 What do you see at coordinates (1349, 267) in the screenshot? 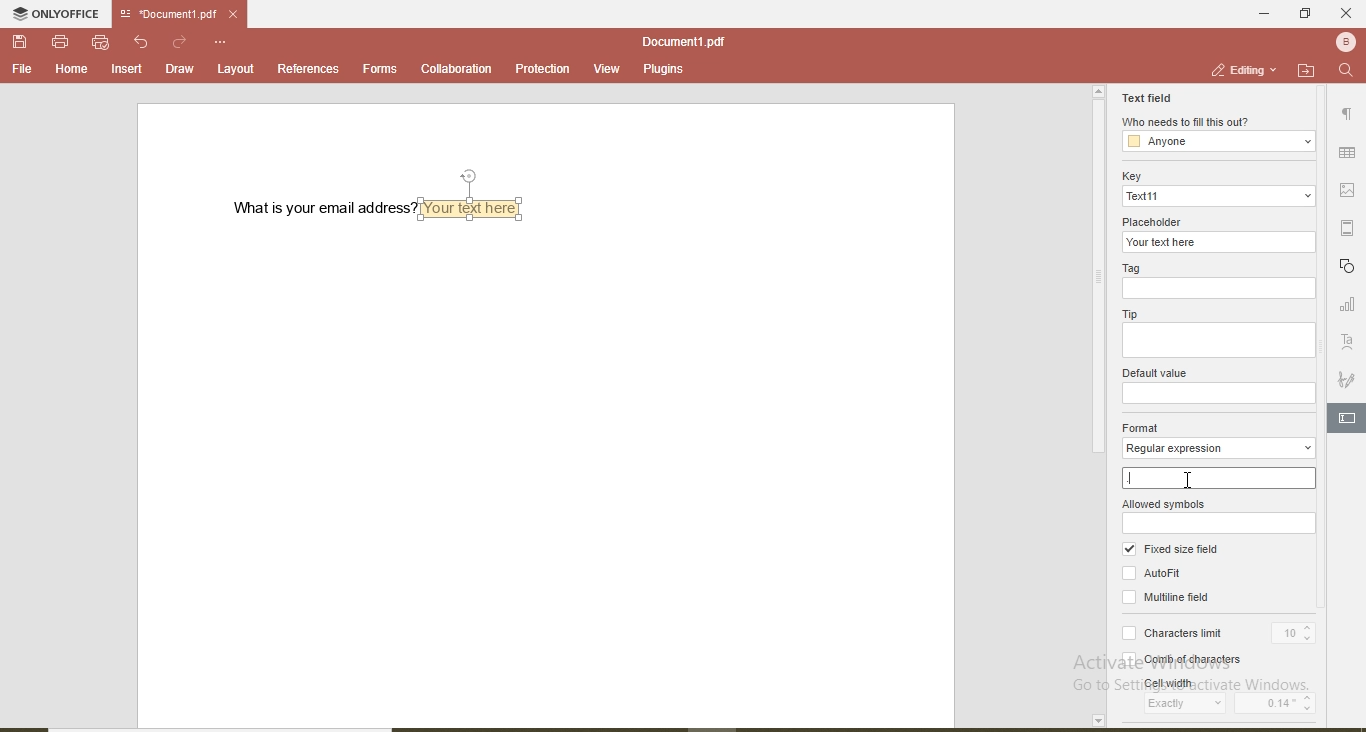
I see `shapes` at bounding box center [1349, 267].